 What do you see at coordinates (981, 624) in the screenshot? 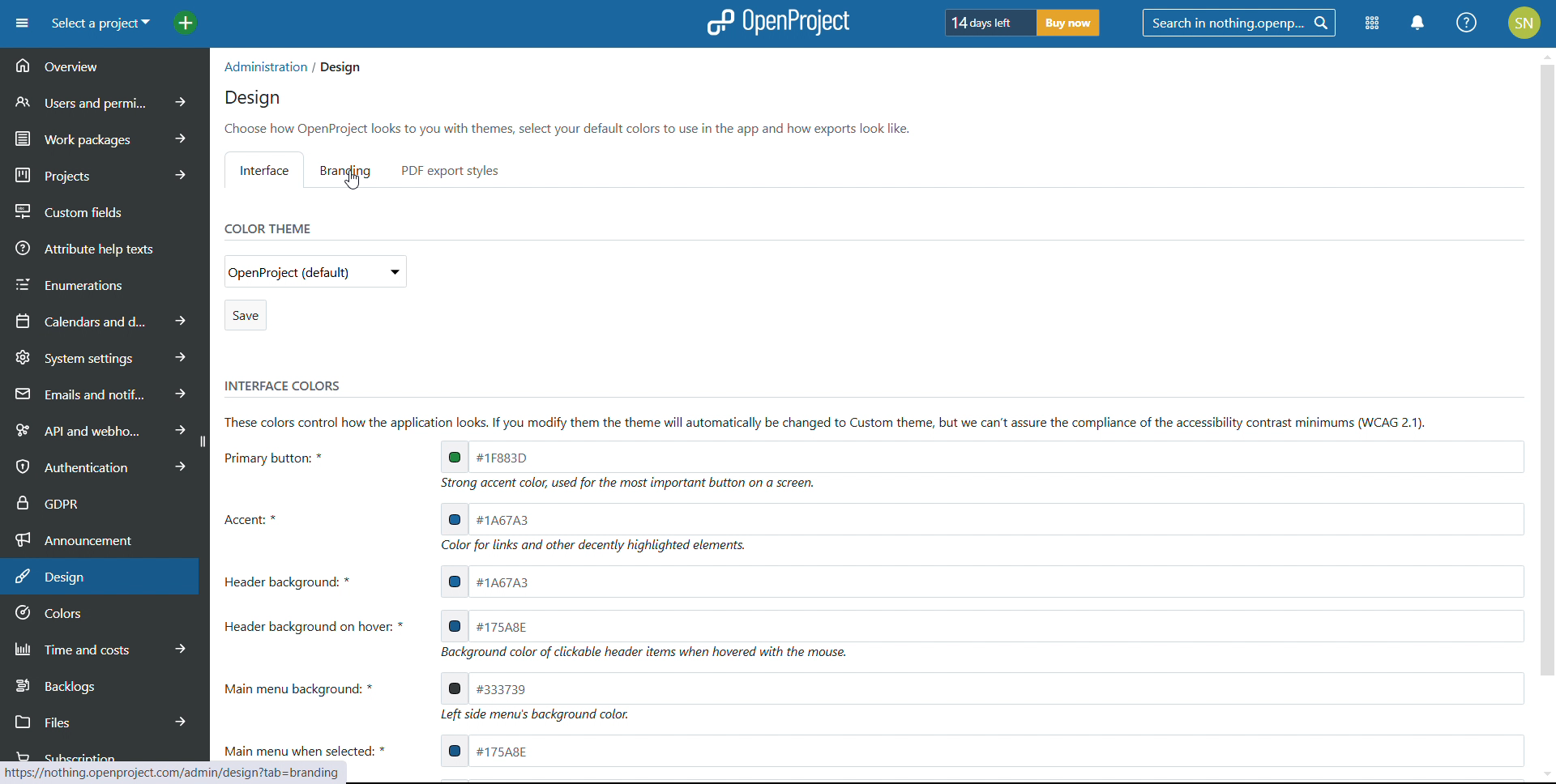
I see `header background on hover` at bounding box center [981, 624].